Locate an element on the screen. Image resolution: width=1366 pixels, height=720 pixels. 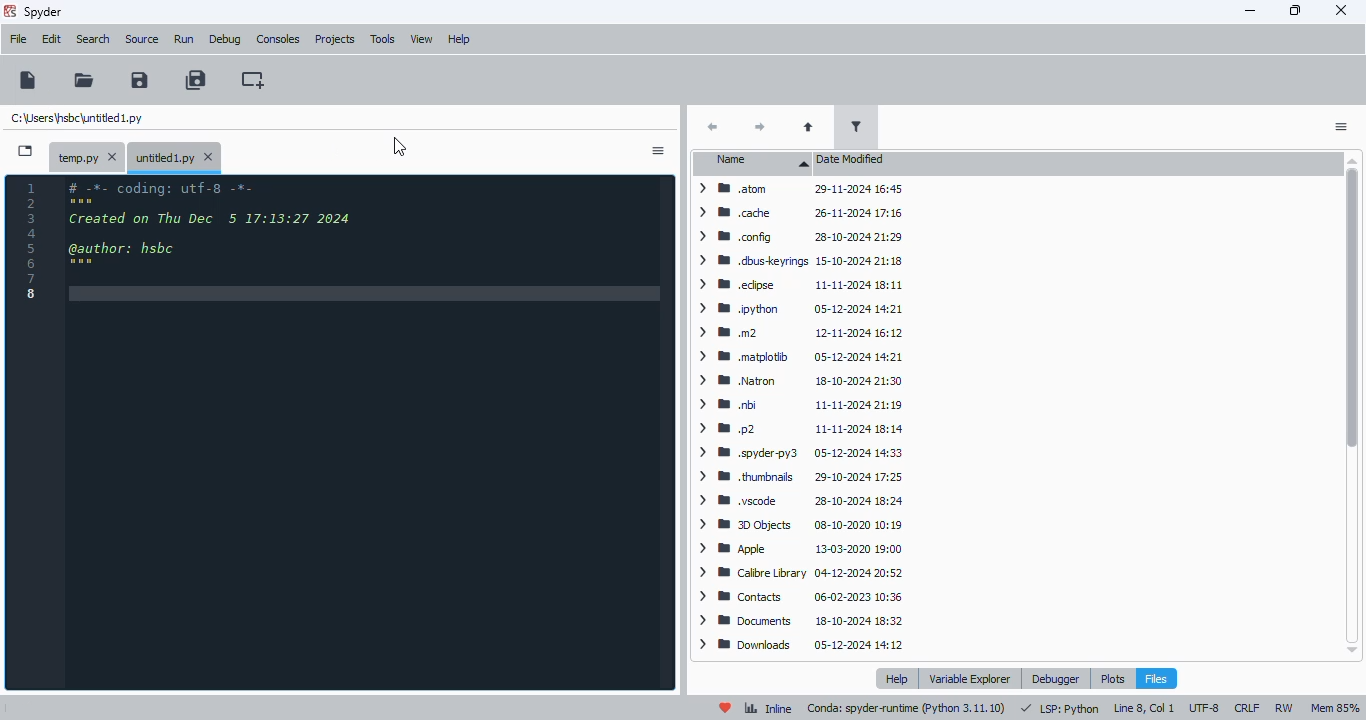
minimize is located at coordinates (1250, 10).